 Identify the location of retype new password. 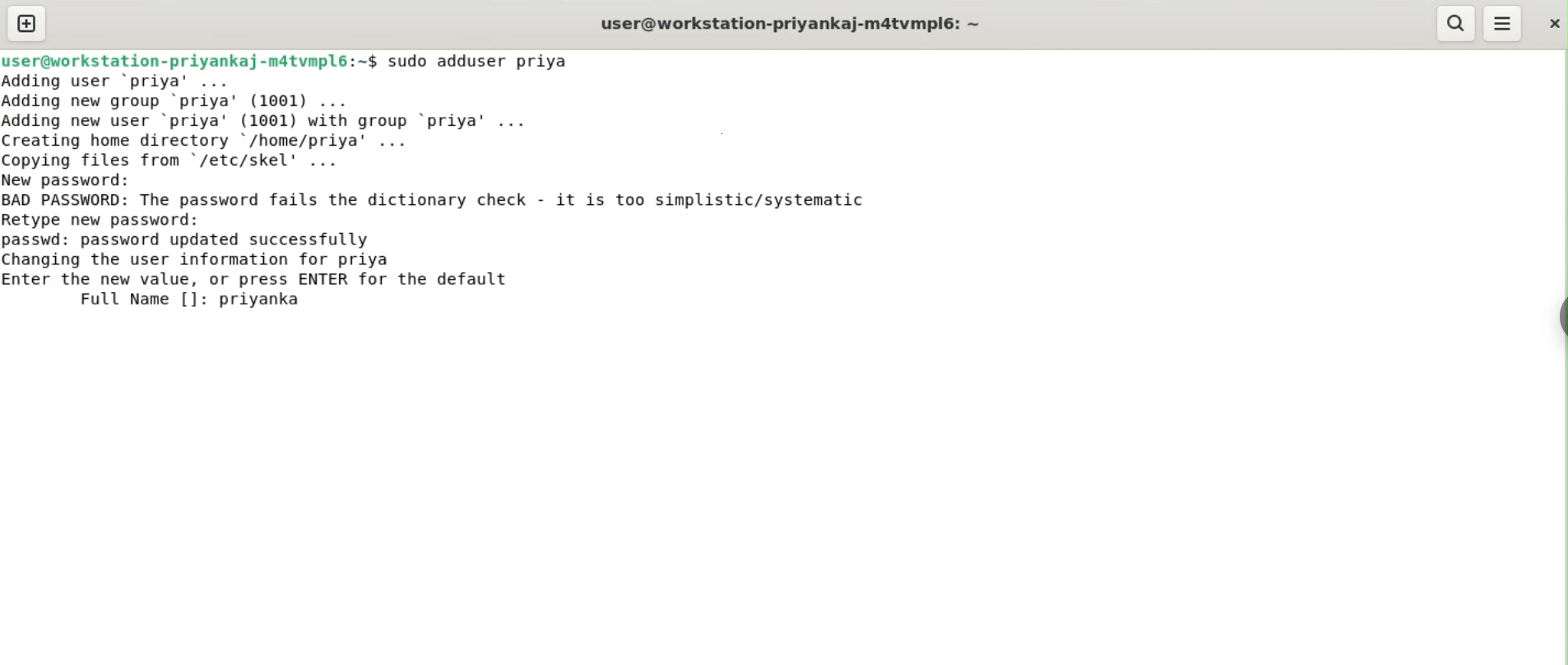
(114, 219).